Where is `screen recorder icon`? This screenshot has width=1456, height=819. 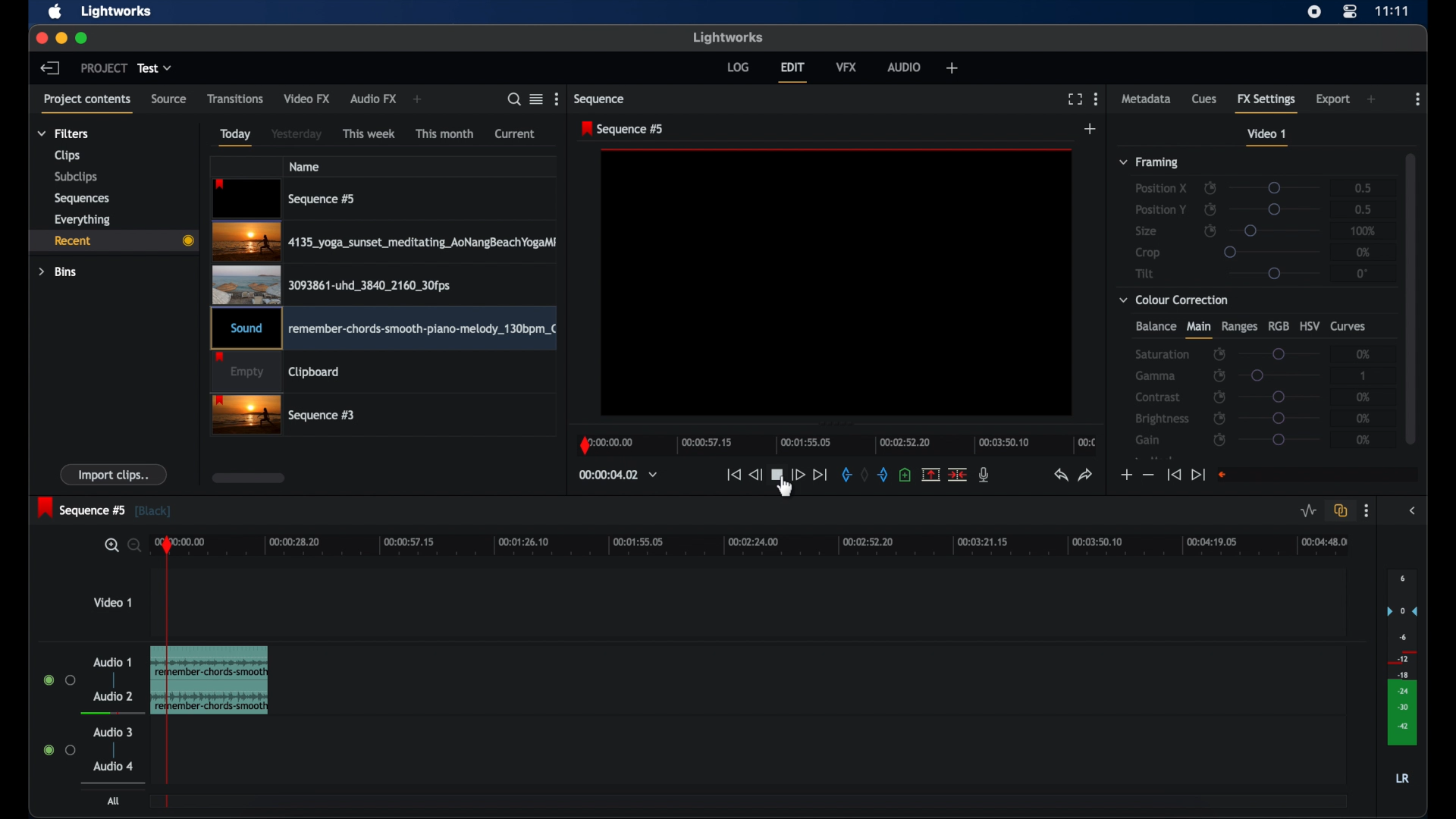 screen recorder icon is located at coordinates (1314, 12).